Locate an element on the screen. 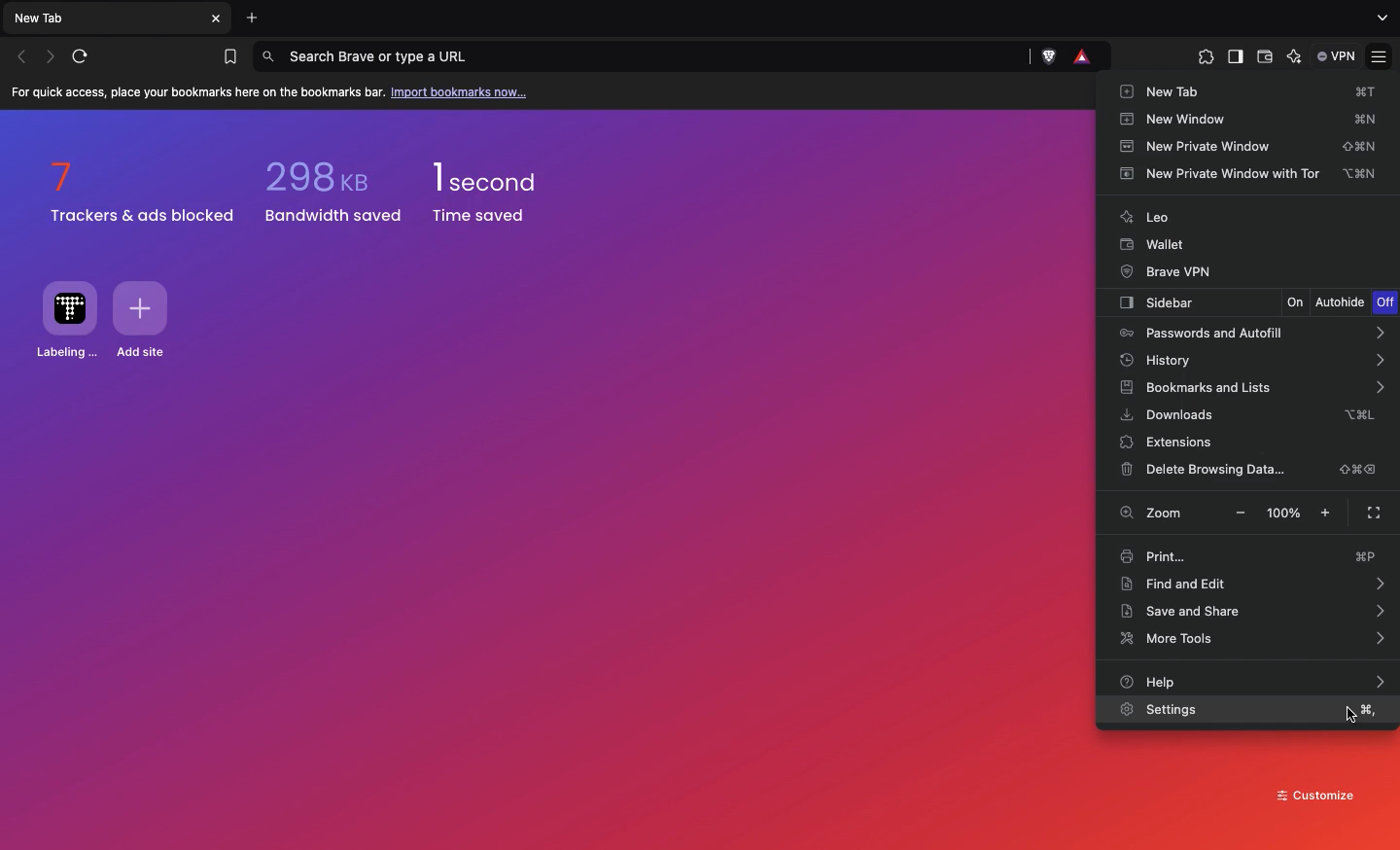  7 trackers & ads blocked is located at coordinates (141, 194).